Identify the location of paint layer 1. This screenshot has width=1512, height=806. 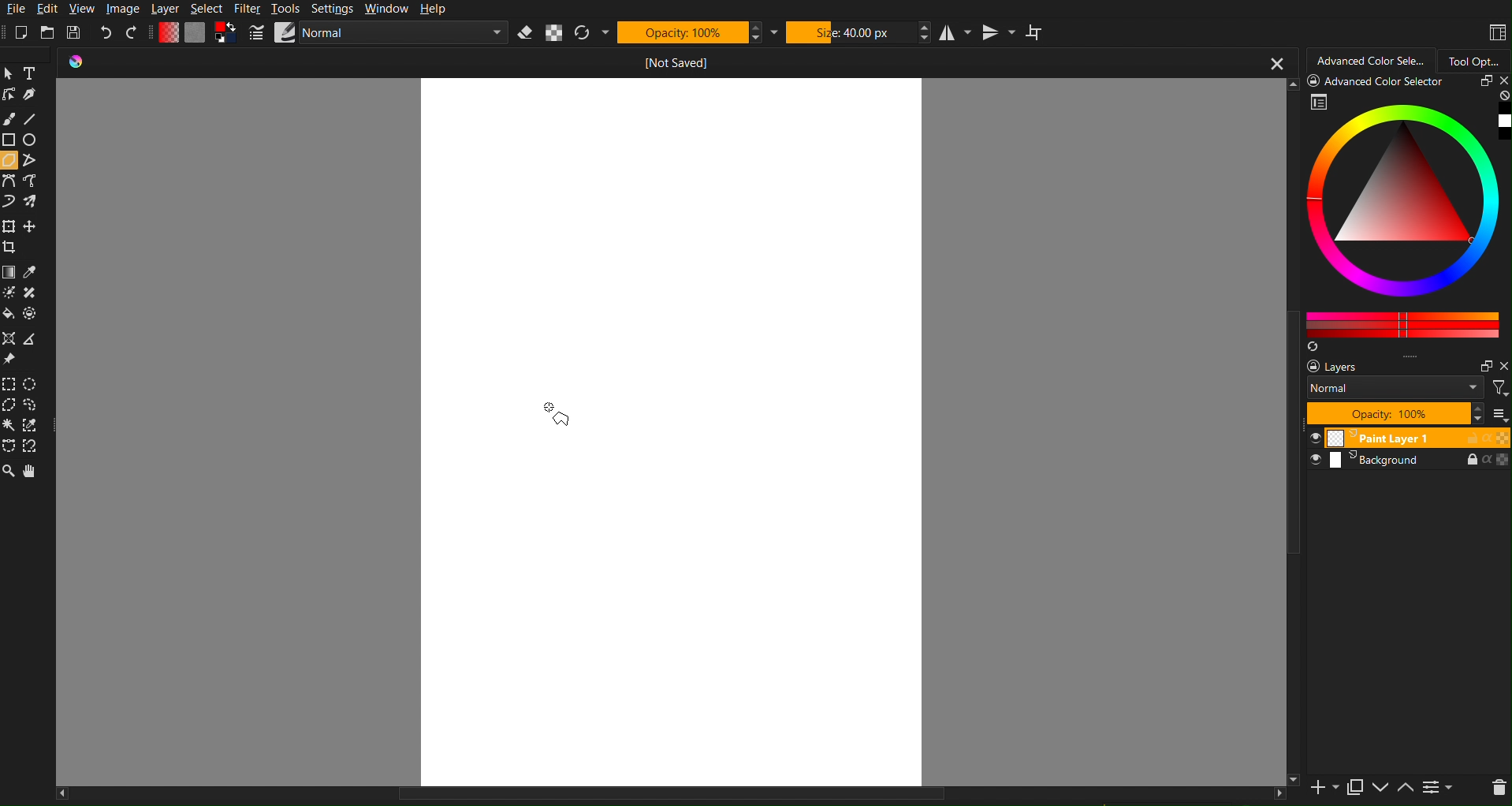
(1406, 438).